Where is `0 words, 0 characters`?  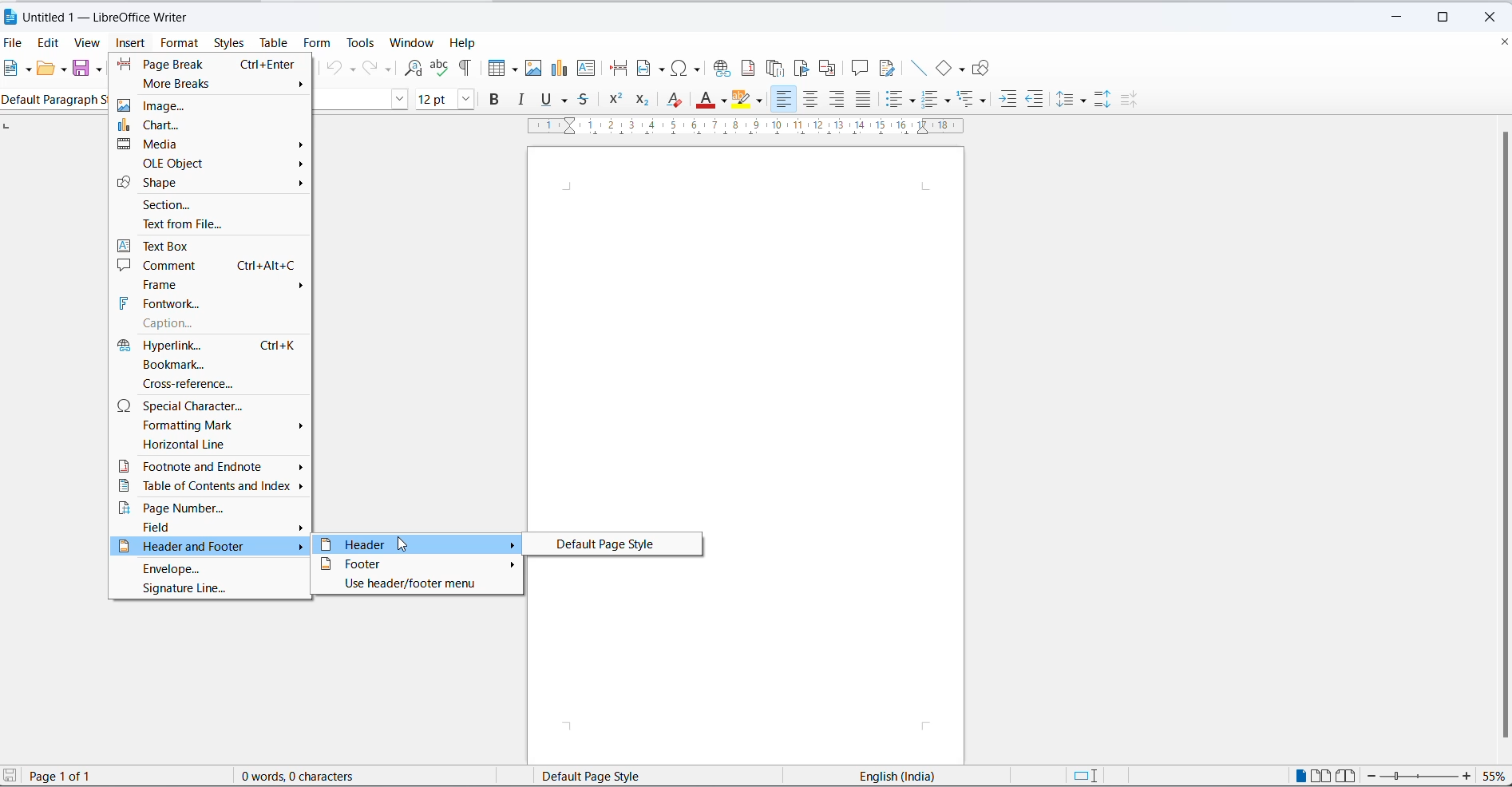 0 words, 0 characters is located at coordinates (315, 776).